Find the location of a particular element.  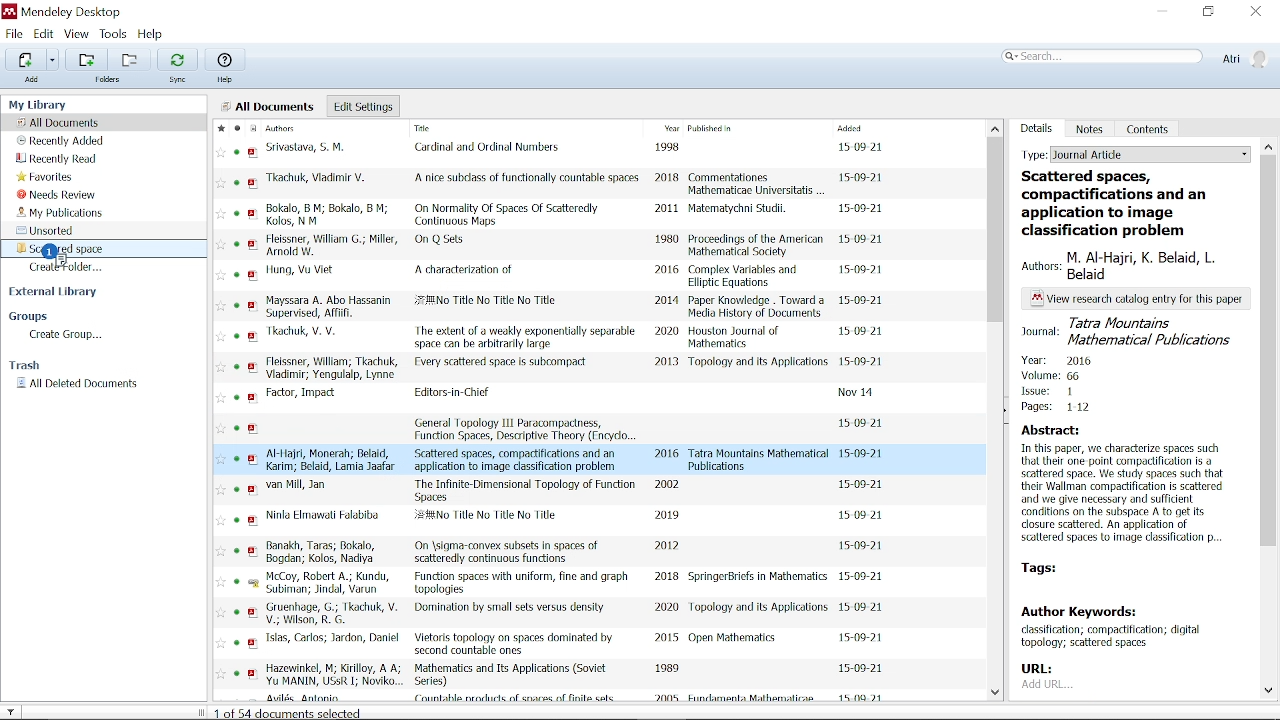

title is located at coordinates (454, 394).